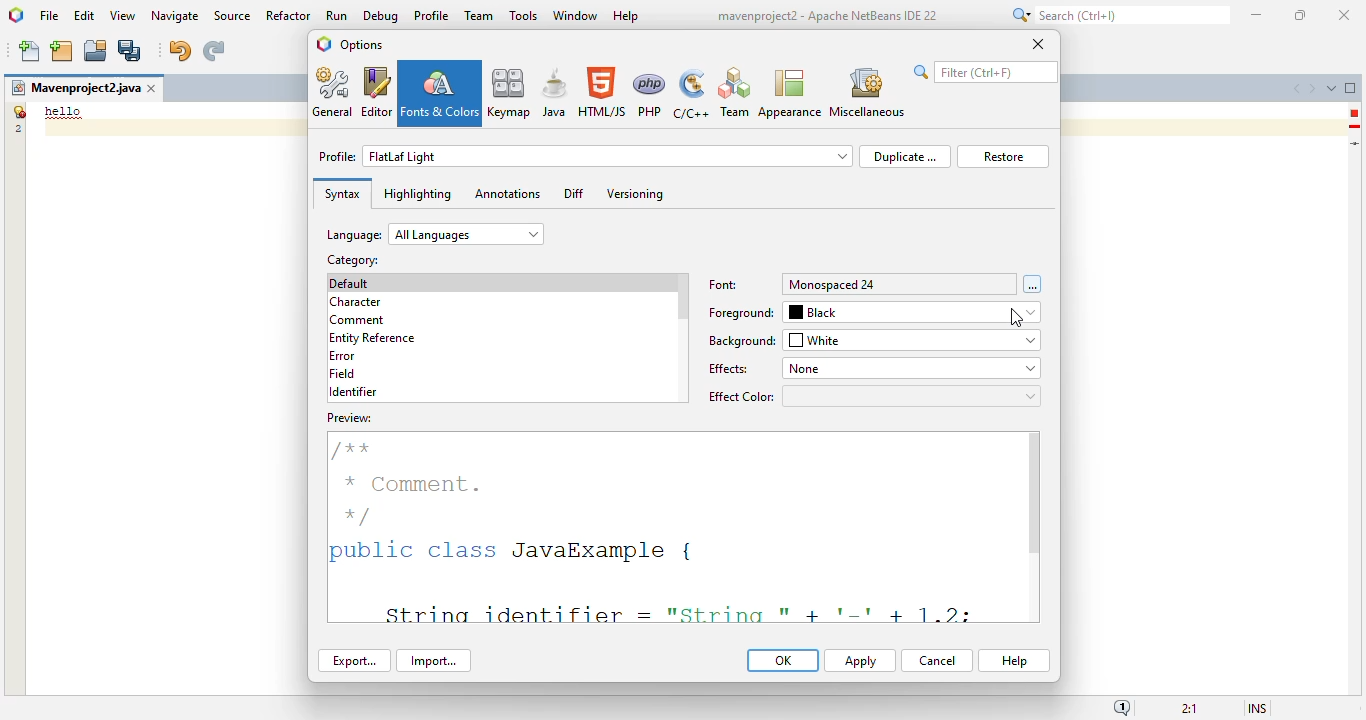 The width and height of the screenshot is (1366, 720). Describe the element at coordinates (31, 51) in the screenshot. I see `new file` at that location.